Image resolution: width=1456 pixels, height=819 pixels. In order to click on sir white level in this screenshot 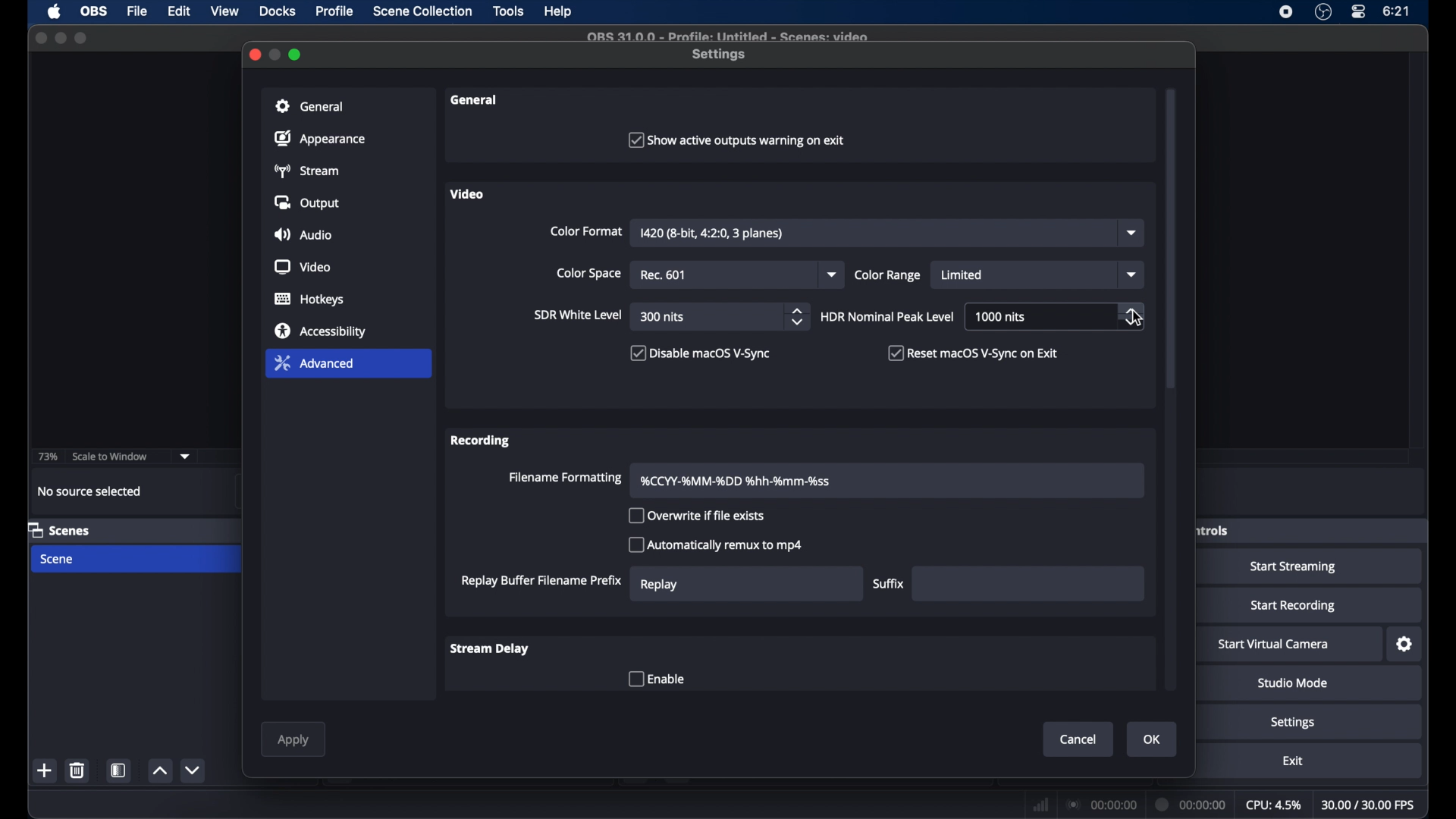, I will do `click(577, 315)`.